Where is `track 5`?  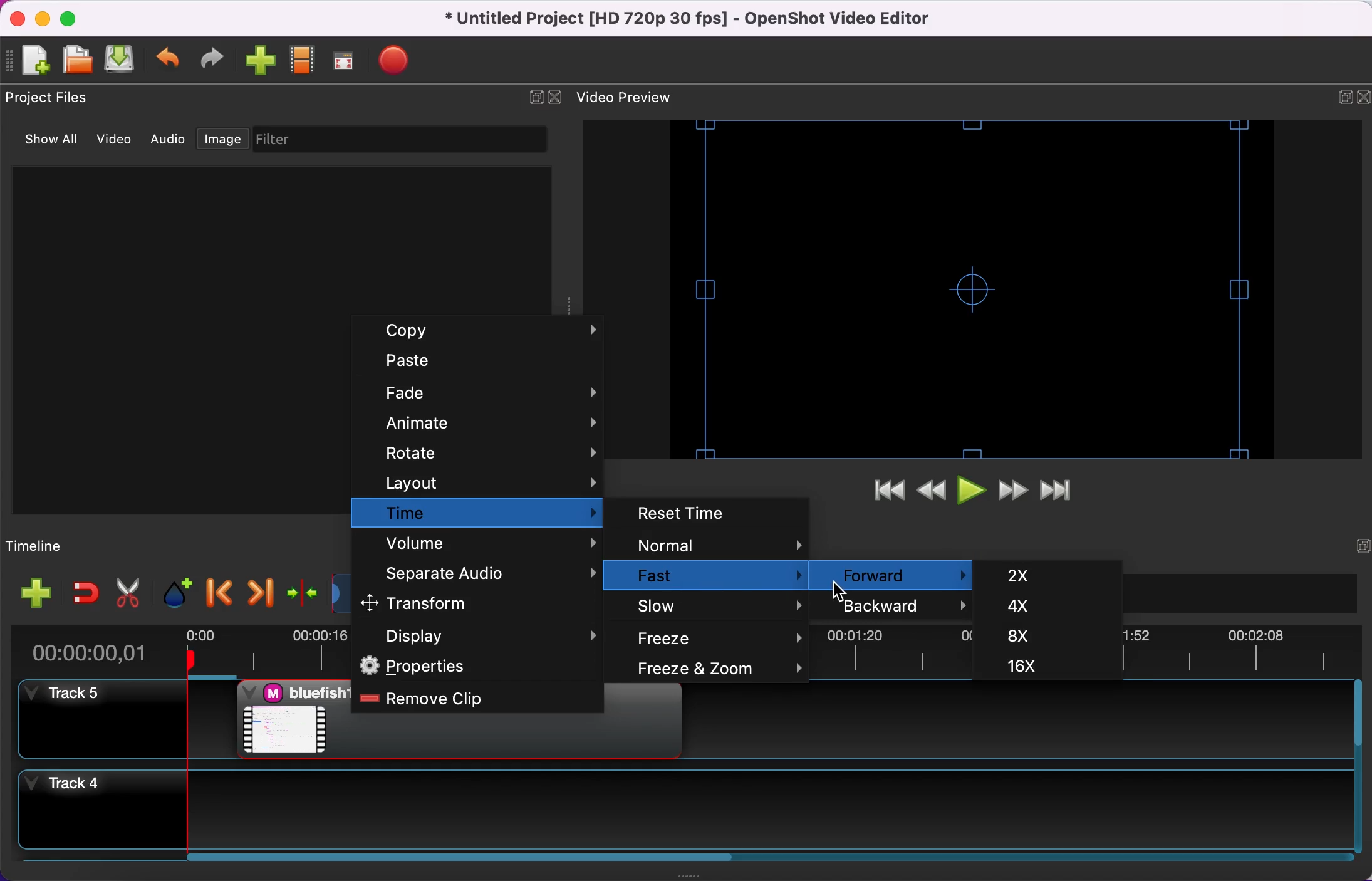
track 5 is located at coordinates (103, 719).